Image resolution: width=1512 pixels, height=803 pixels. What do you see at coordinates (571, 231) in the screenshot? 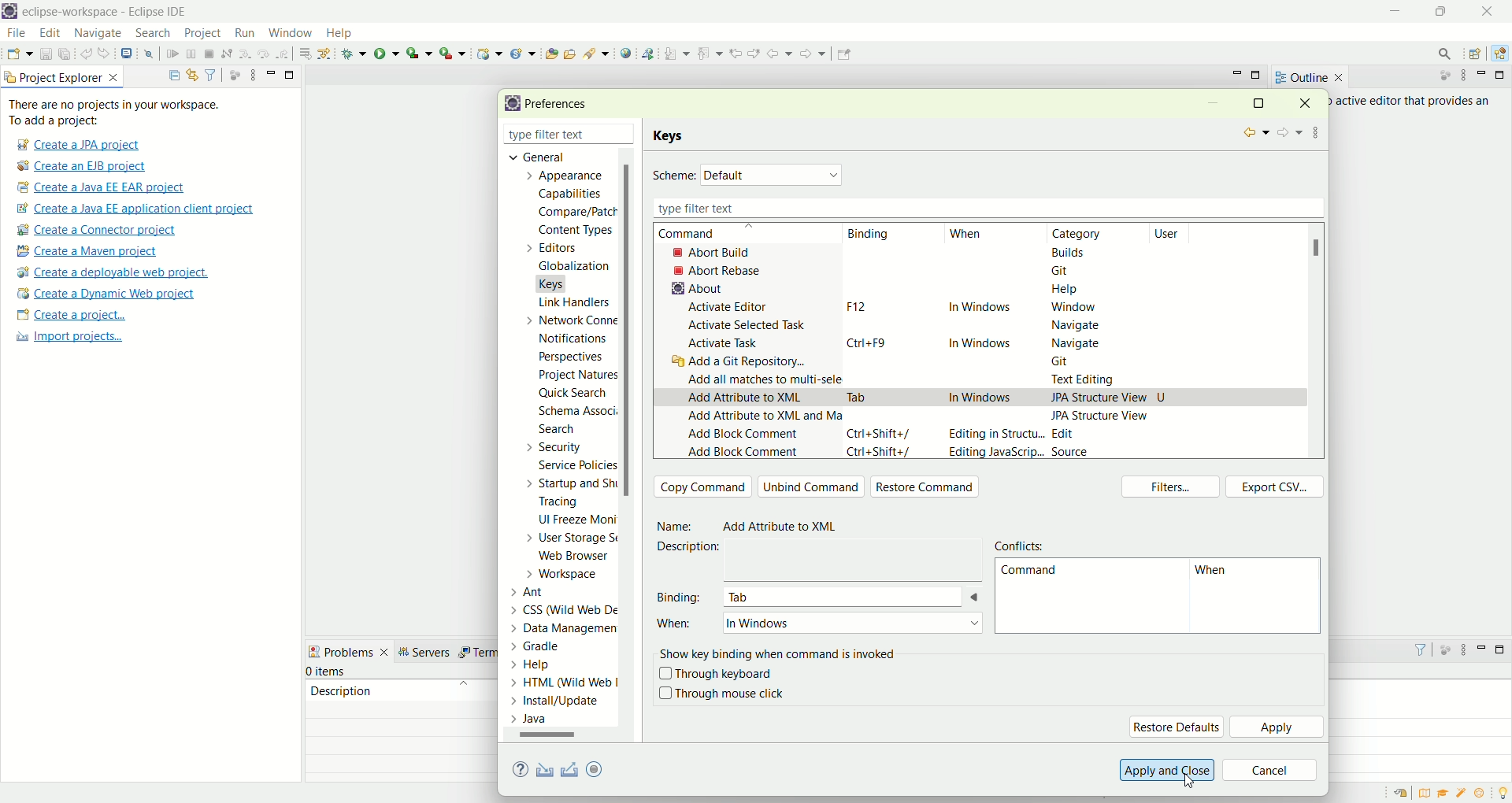
I see `content types` at bounding box center [571, 231].